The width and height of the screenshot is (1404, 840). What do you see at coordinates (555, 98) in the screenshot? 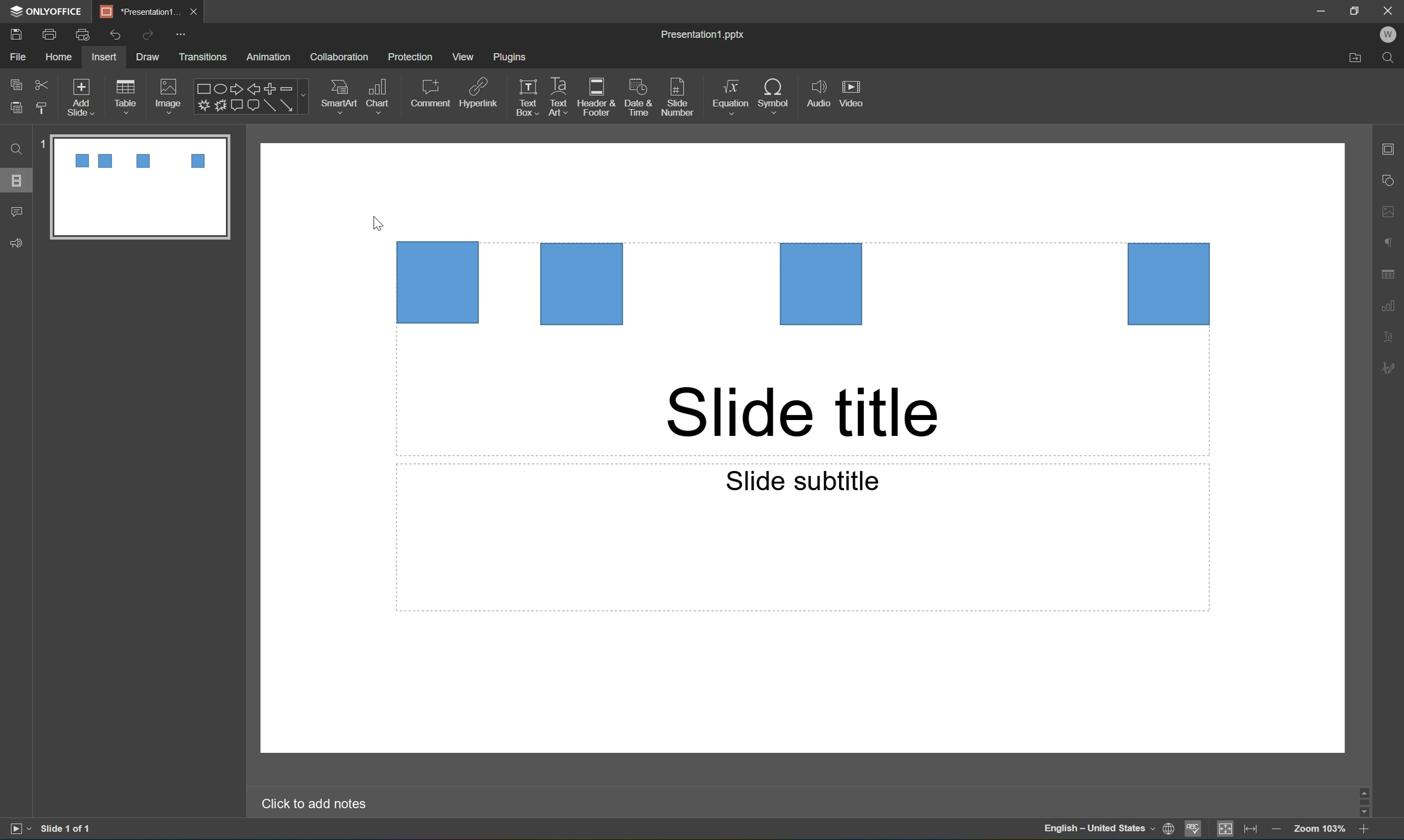
I see `text art` at bounding box center [555, 98].